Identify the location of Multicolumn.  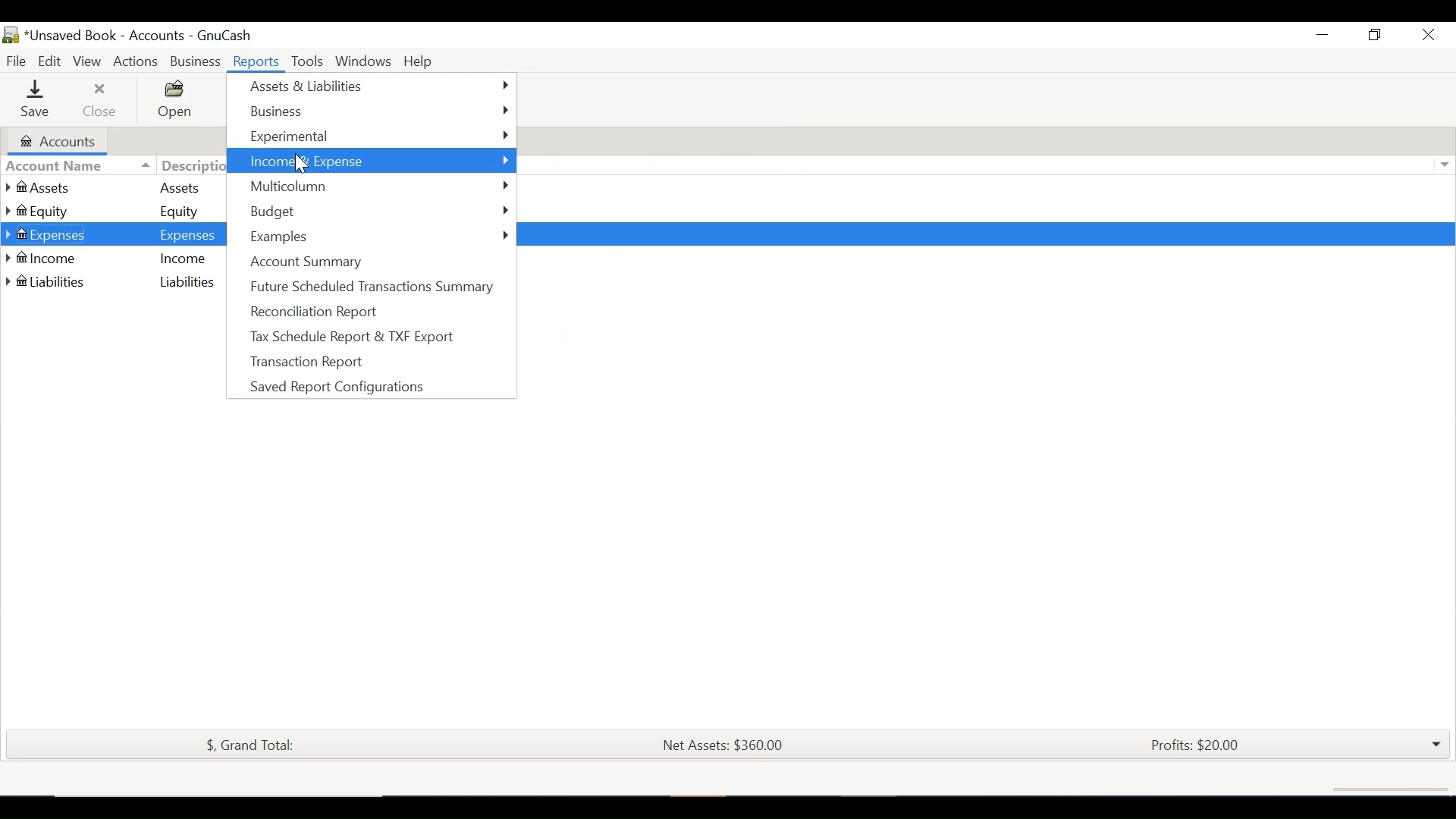
(371, 187).